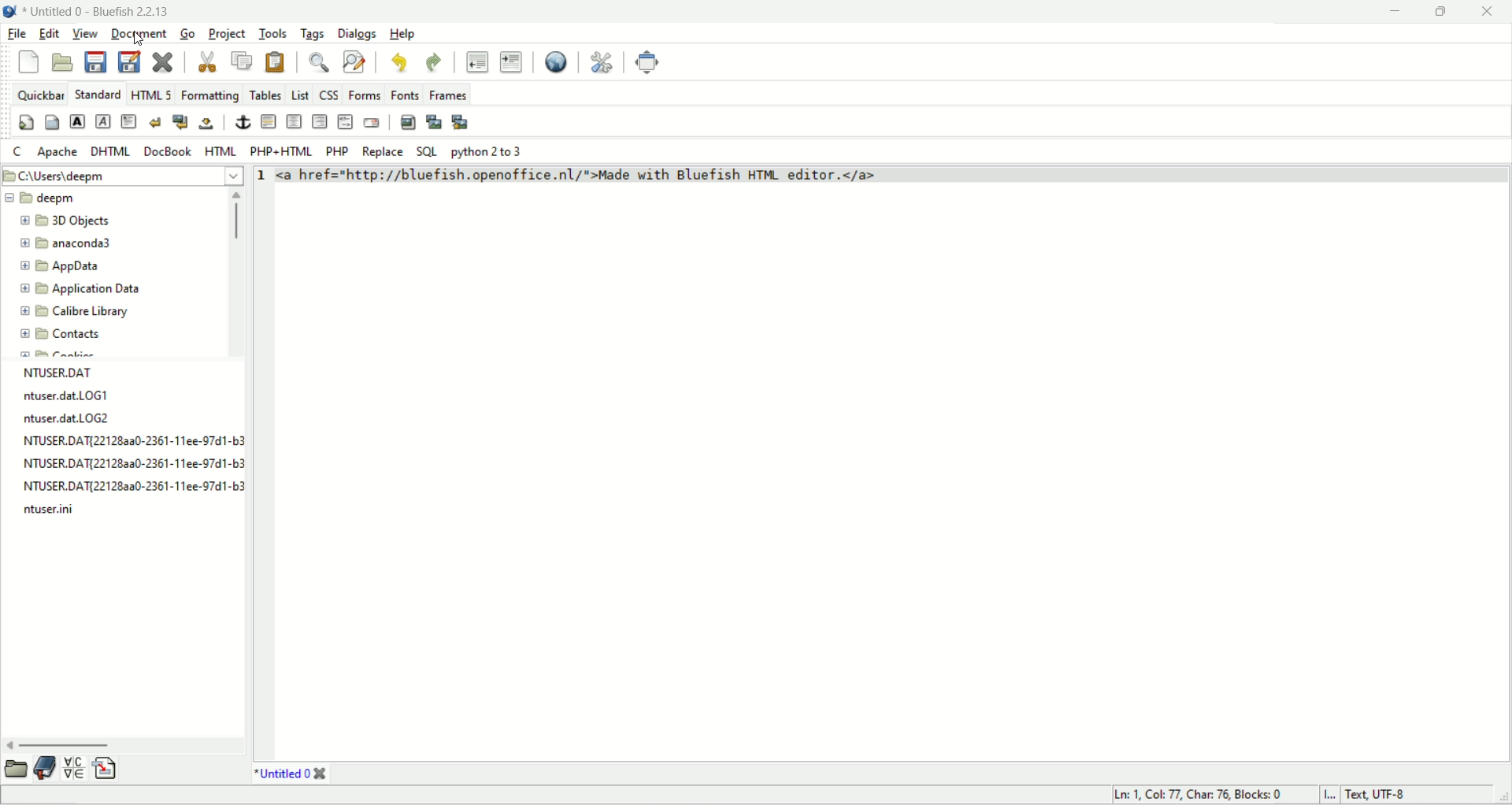  What do you see at coordinates (30, 61) in the screenshot?
I see `new` at bounding box center [30, 61].